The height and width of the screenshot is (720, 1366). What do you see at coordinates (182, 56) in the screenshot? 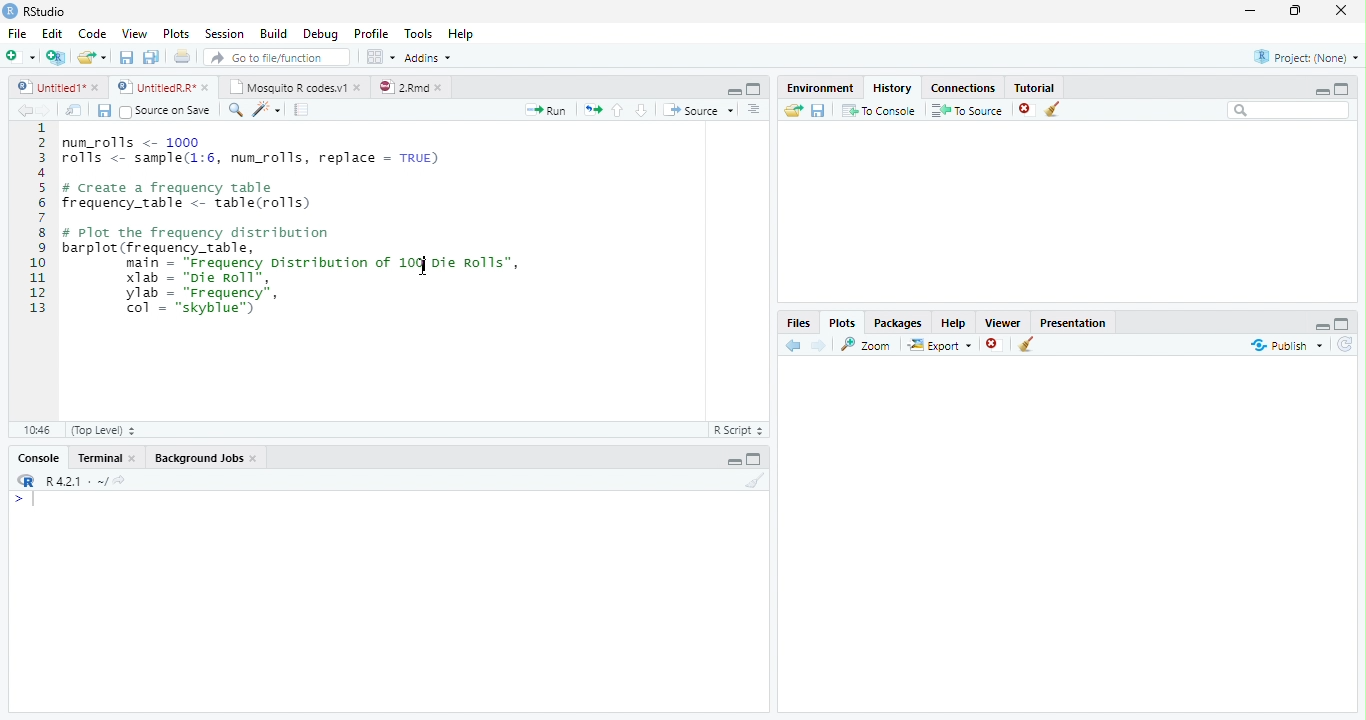
I see `Print` at bounding box center [182, 56].